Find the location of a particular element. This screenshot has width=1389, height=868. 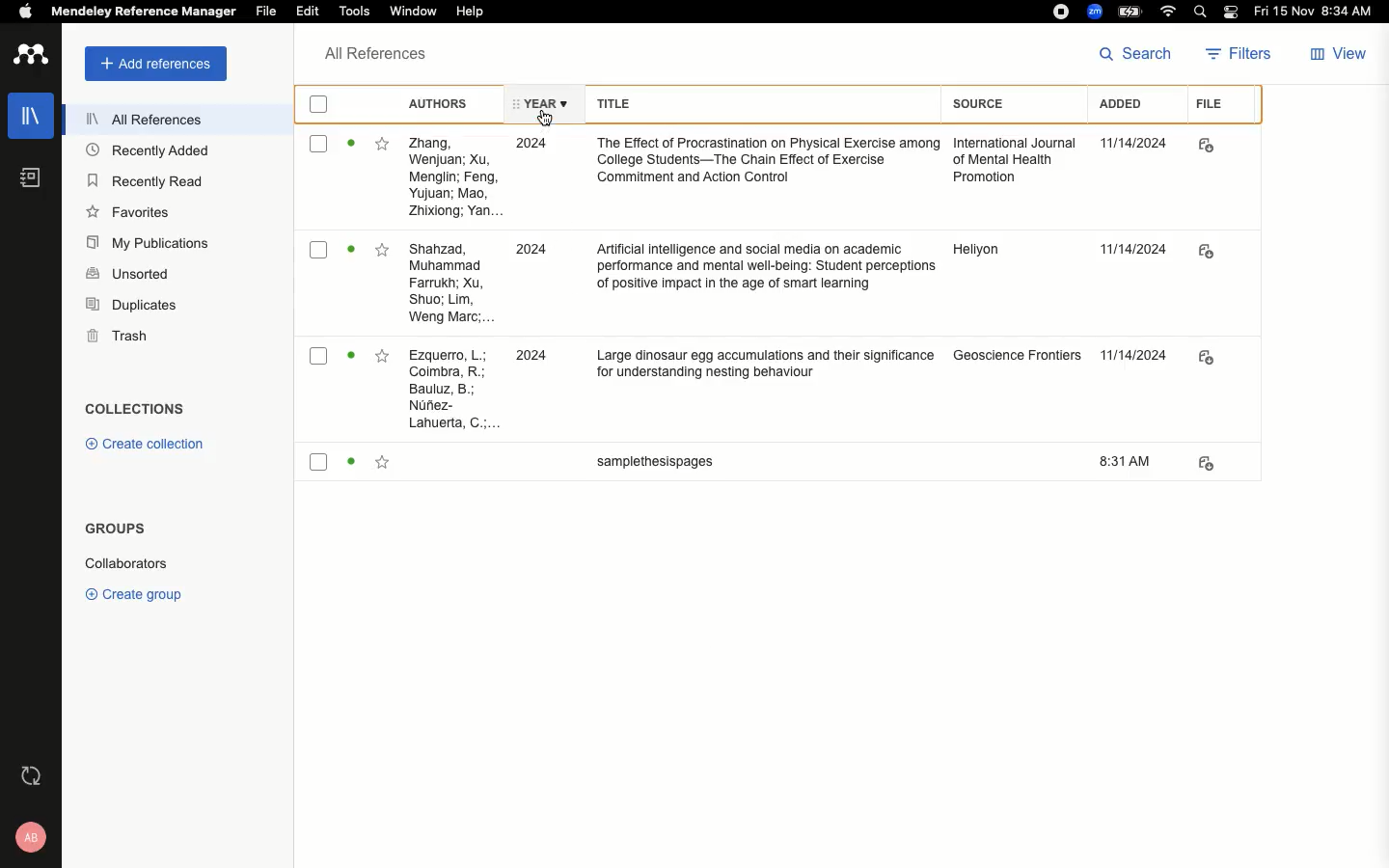

Library is located at coordinates (31, 114).